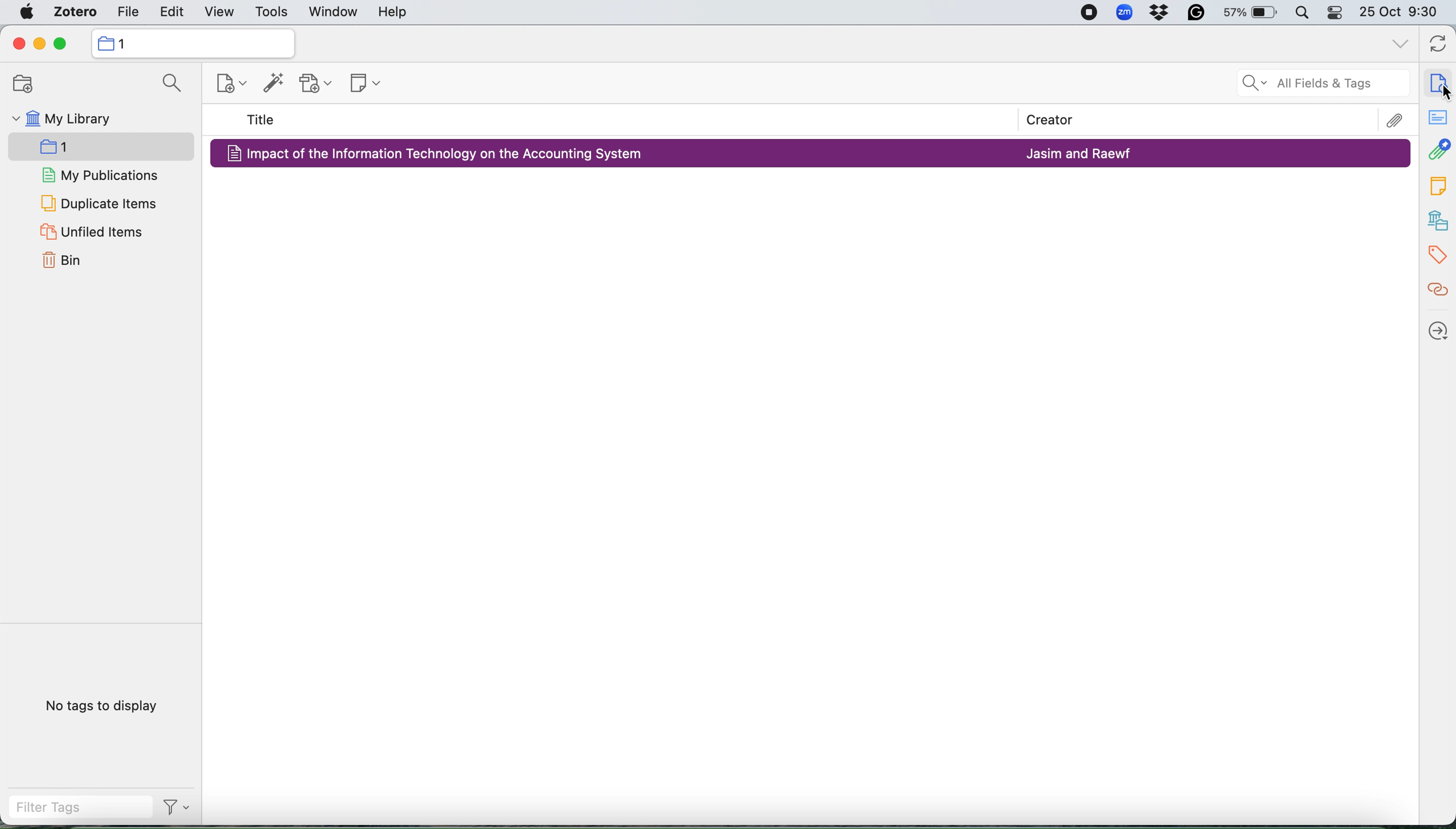 Image resolution: width=1456 pixels, height=829 pixels. Describe the element at coordinates (22, 84) in the screenshot. I see `add new collection` at that location.